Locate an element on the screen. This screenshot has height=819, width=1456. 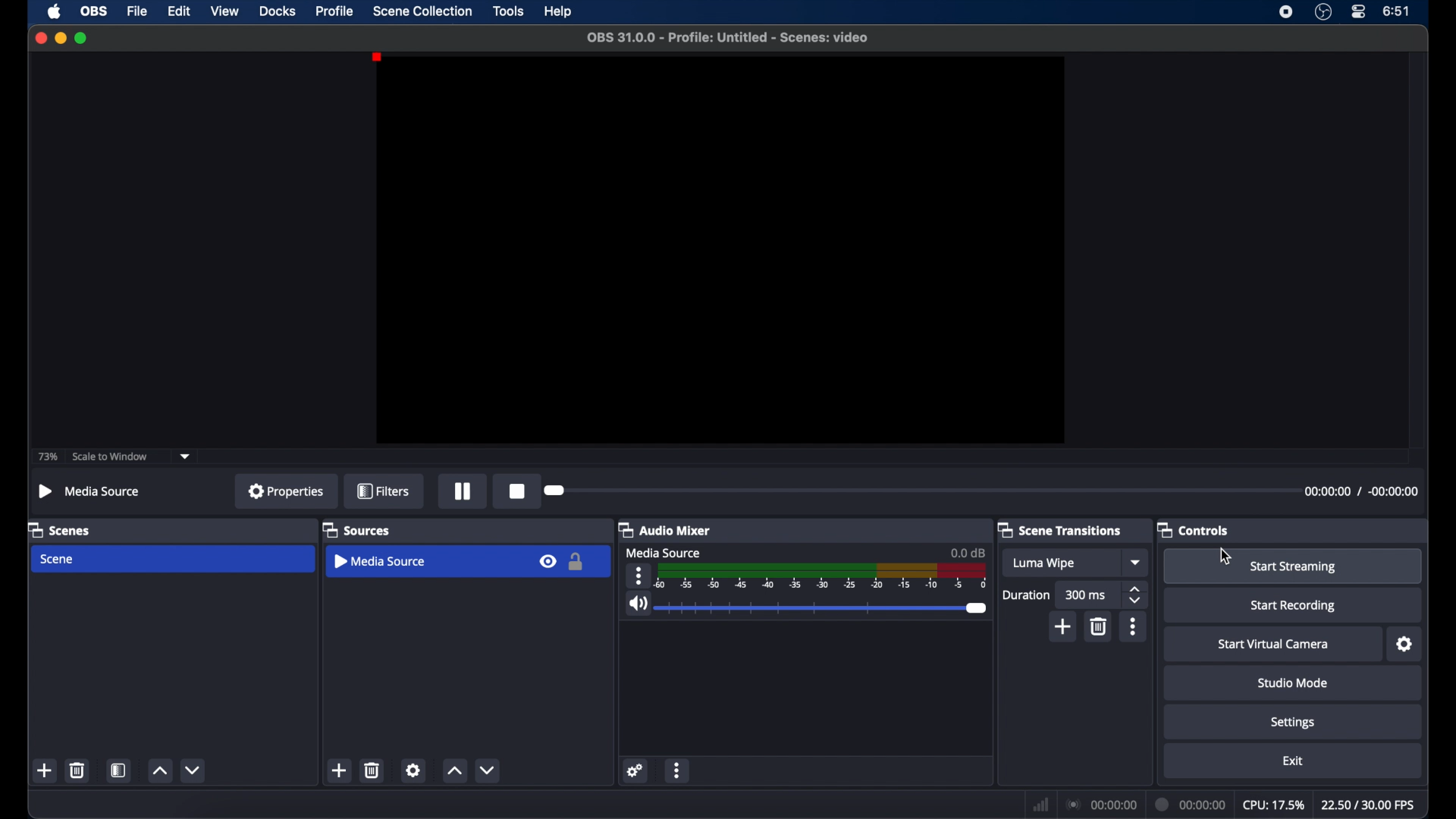
add is located at coordinates (340, 770).